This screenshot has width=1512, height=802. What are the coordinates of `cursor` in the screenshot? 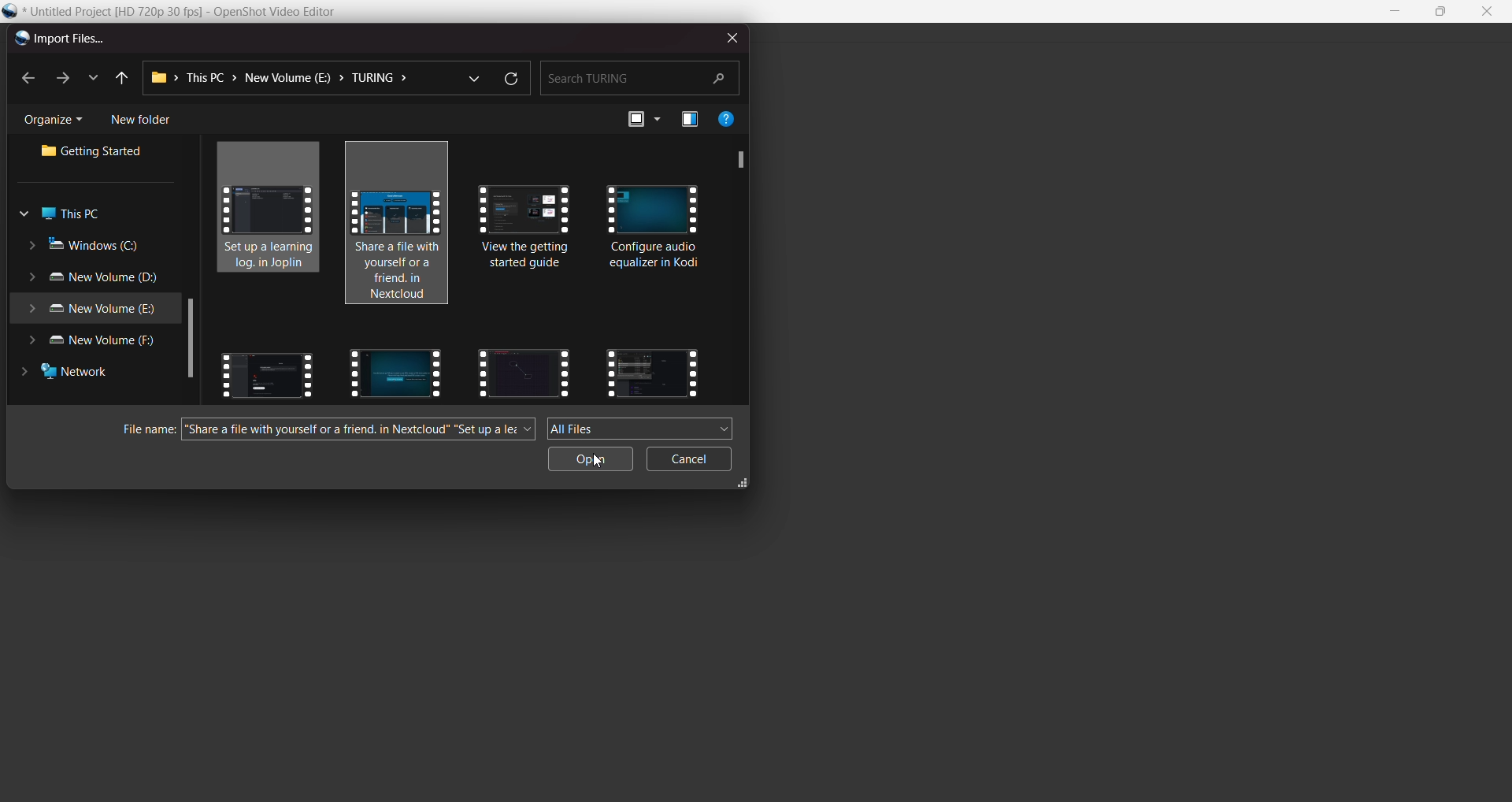 It's located at (602, 462).